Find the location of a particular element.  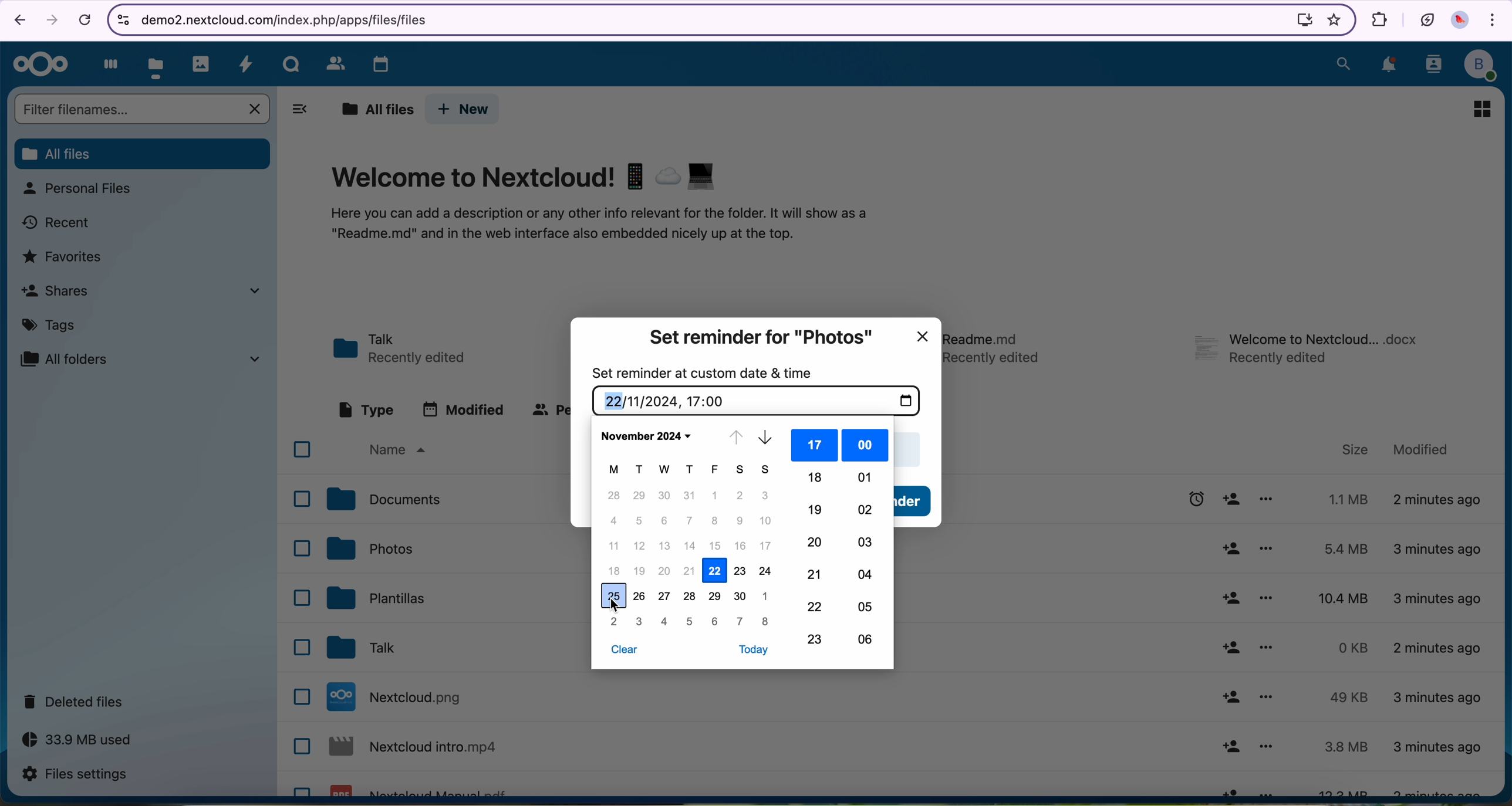

set reminder at custom date and time is located at coordinates (705, 372).